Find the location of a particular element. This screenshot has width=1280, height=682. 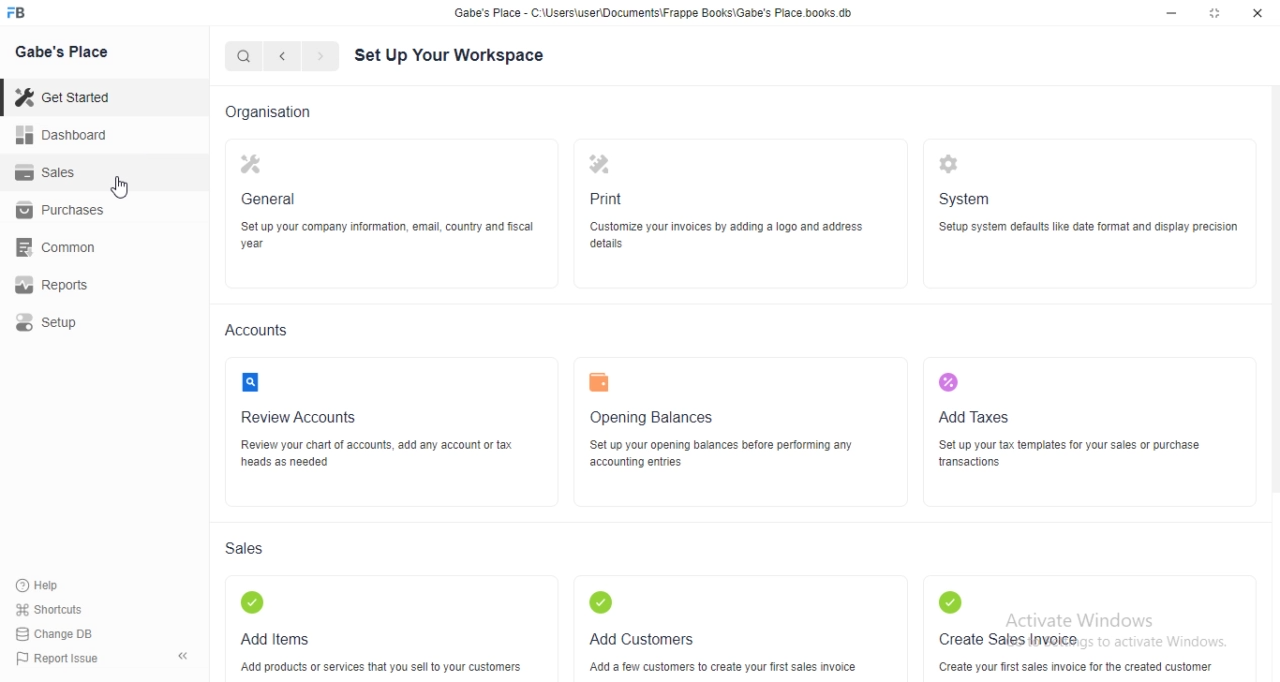

Sales is located at coordinates (271, 551).